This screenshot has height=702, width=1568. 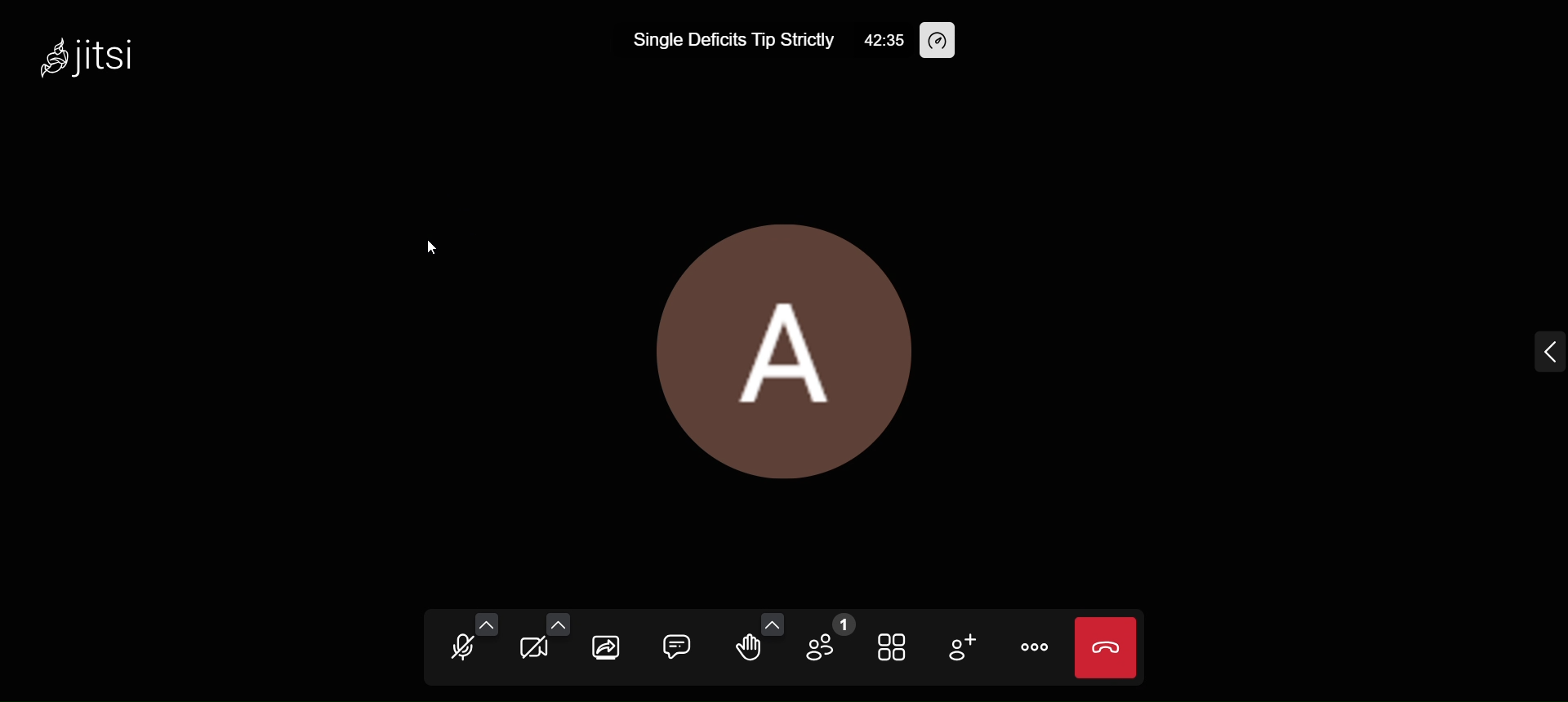 I want to click on meeting time, so click(x=880, y=40).